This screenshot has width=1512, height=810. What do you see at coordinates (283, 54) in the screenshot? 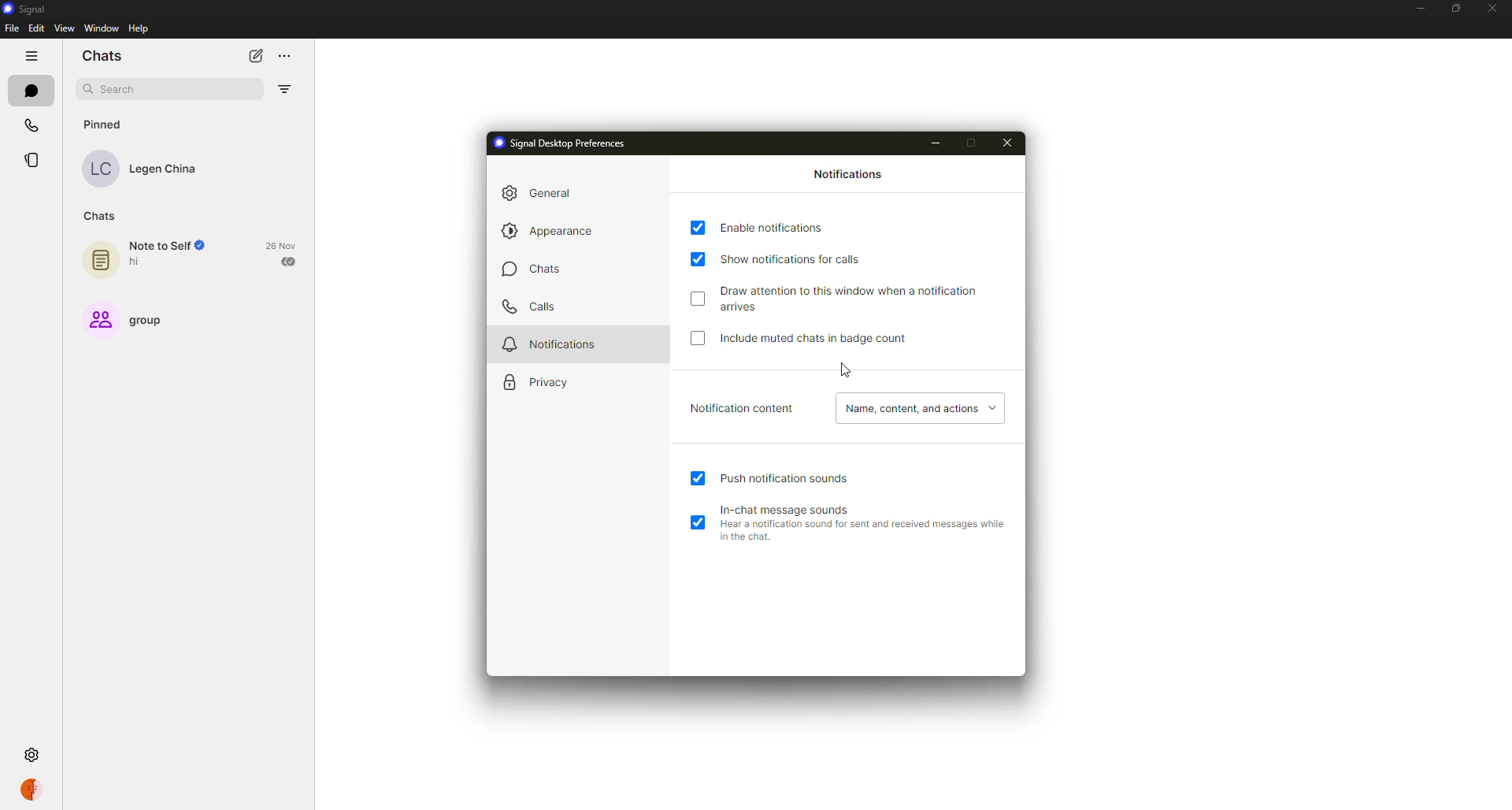
I see `more` at bounding box center [283, 54].